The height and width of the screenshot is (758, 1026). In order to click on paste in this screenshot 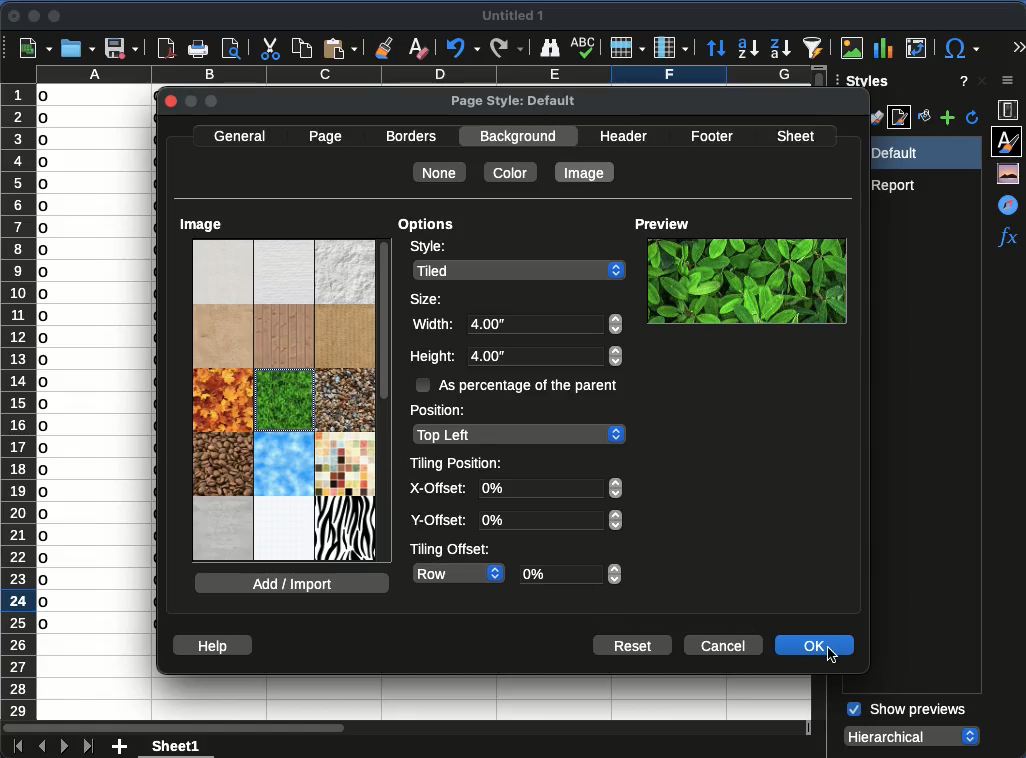, I will do `click(341, 47)`.